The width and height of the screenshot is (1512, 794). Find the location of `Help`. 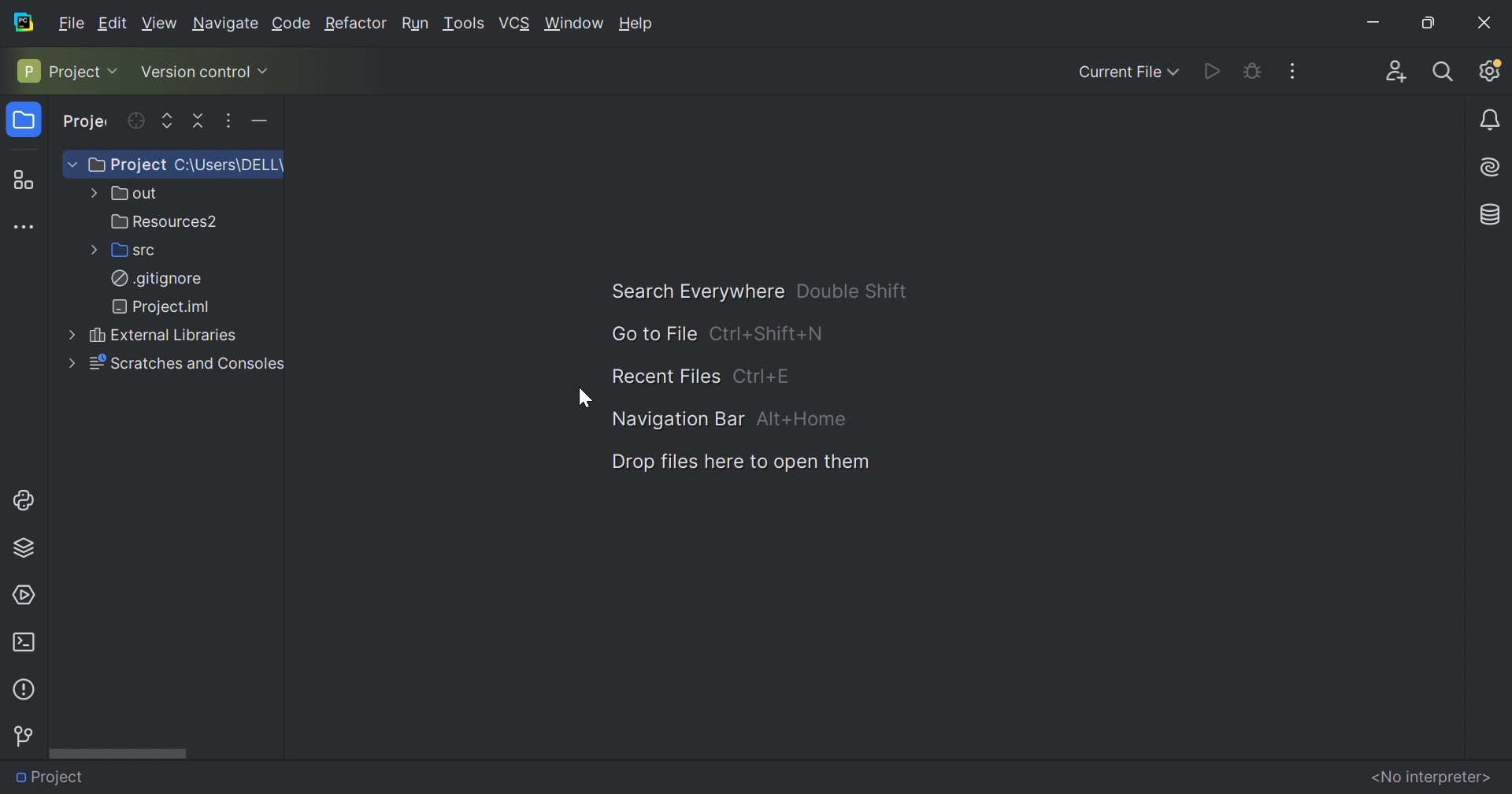

Help is located at coordinates (637, 23).